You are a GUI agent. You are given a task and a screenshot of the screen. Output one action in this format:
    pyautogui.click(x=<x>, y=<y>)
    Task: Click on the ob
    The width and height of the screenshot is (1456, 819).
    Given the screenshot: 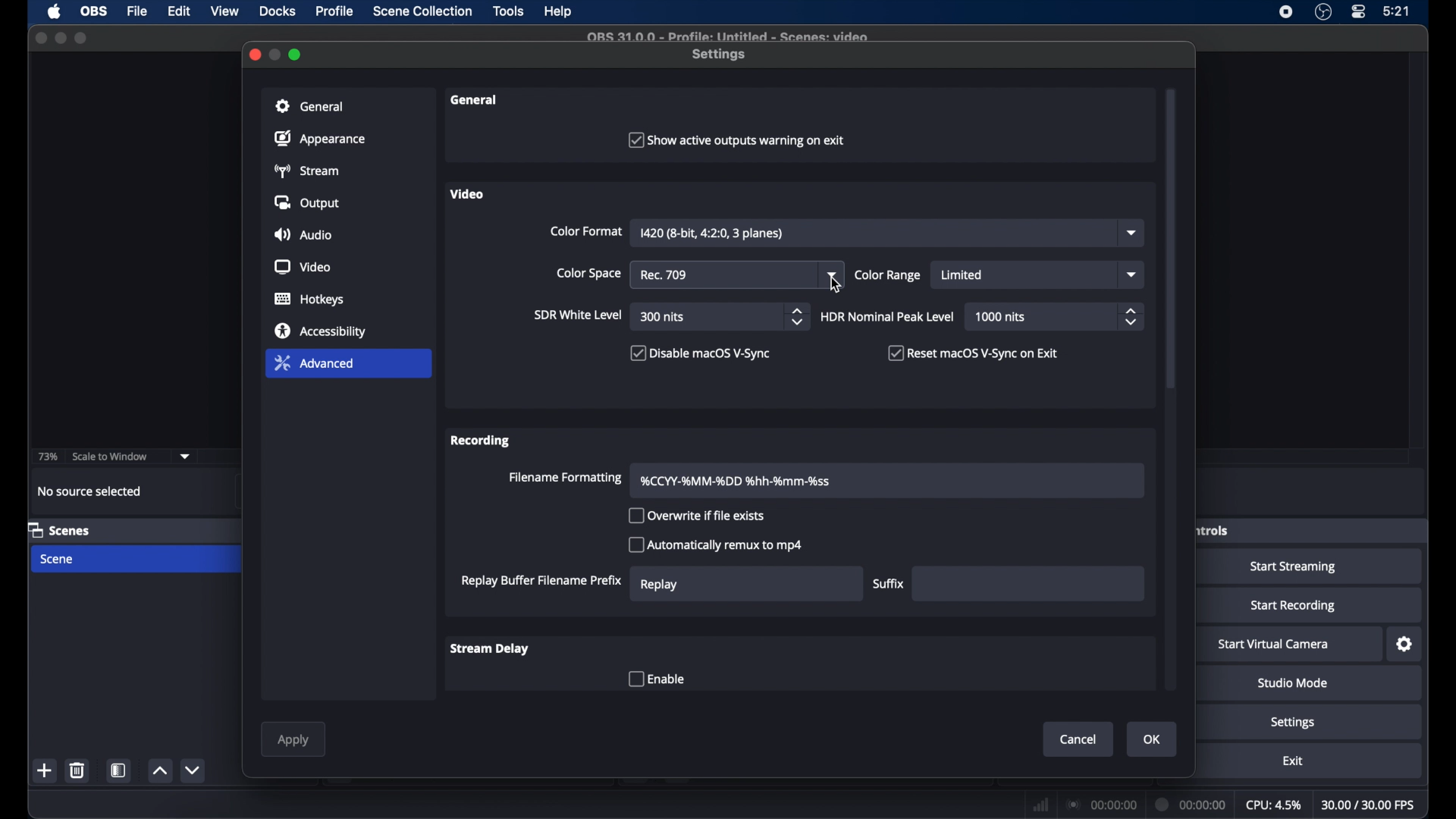 What is the action you would take?
    pyautogui.click(x=95, y=11)
    